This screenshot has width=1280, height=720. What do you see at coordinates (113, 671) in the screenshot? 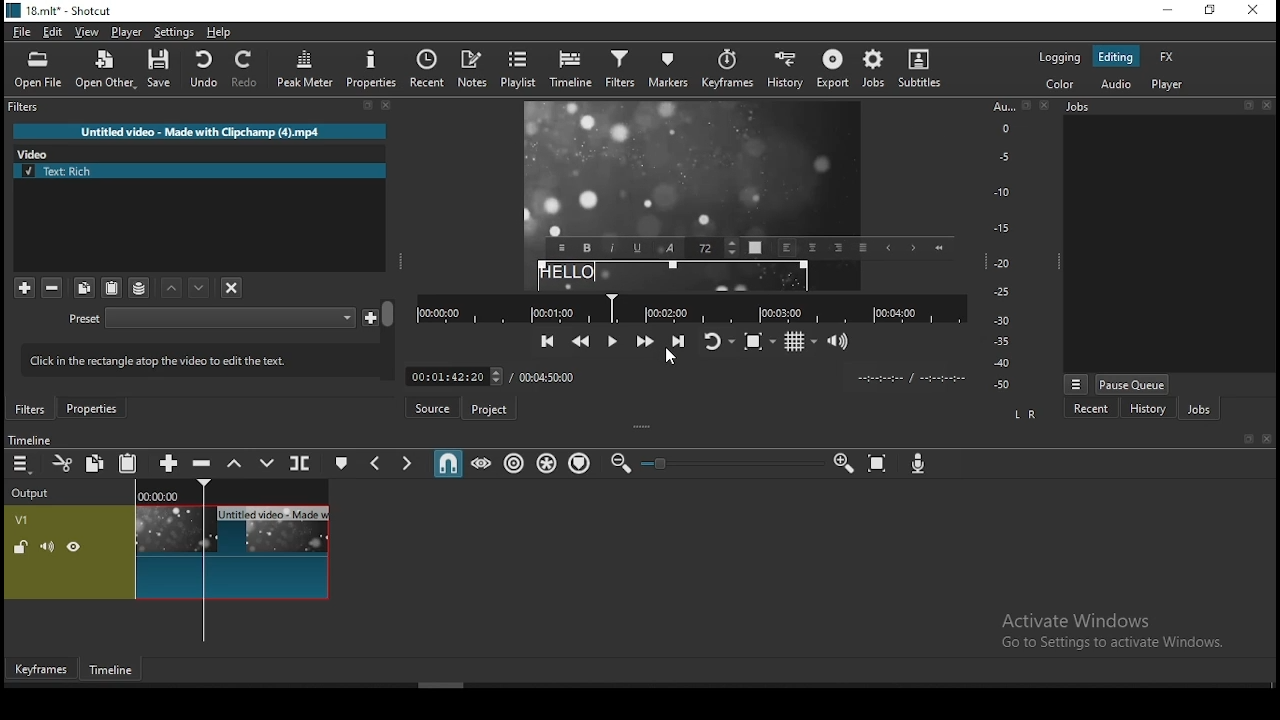
I see `timeline` at bounding box center [113, 671].